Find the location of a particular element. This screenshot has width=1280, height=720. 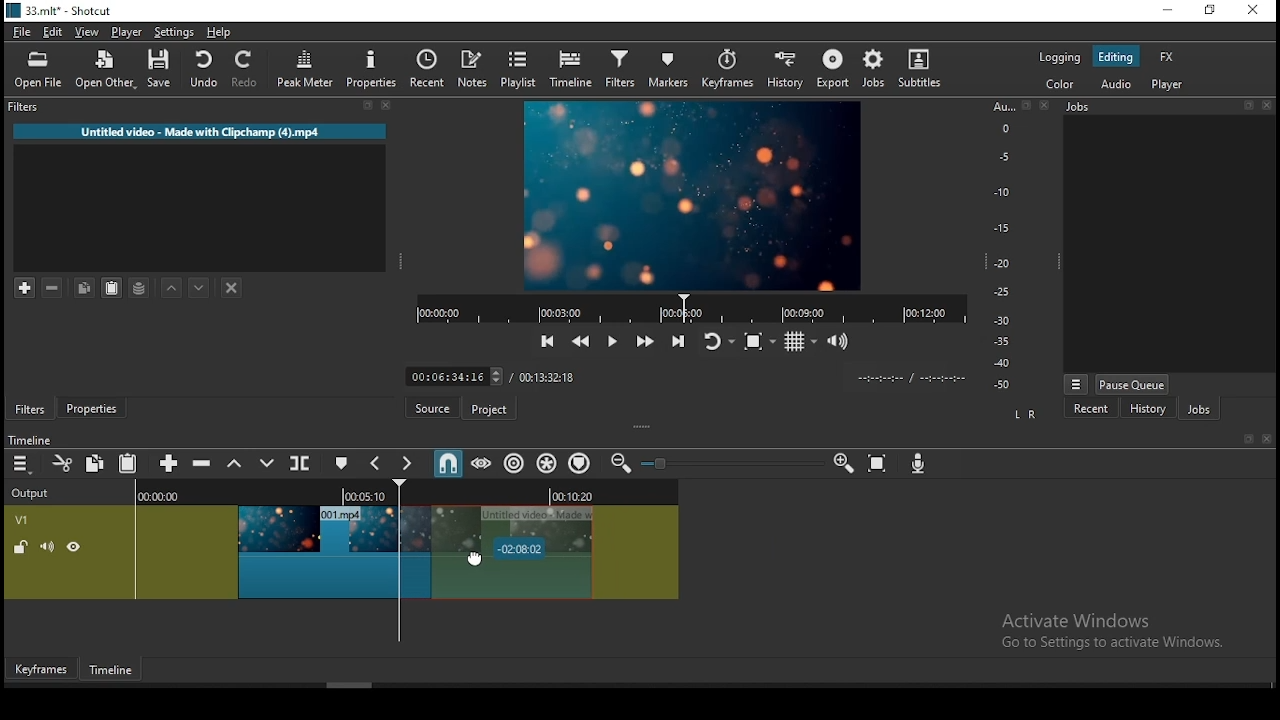

zoom timeline to fit is located at coordinates (879, 466).